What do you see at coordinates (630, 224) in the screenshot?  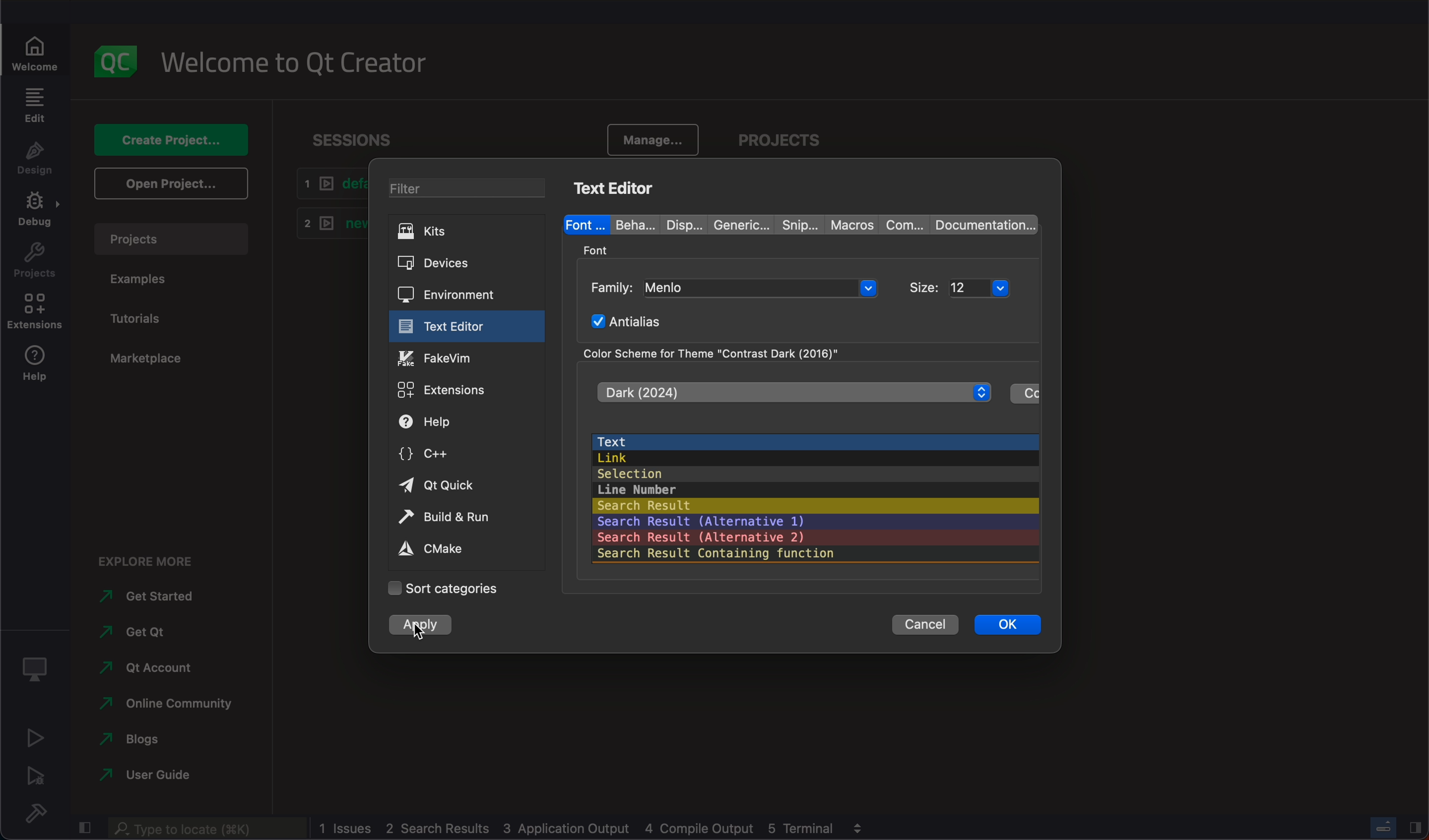 I see `beha` at bounding box center [630, 224].